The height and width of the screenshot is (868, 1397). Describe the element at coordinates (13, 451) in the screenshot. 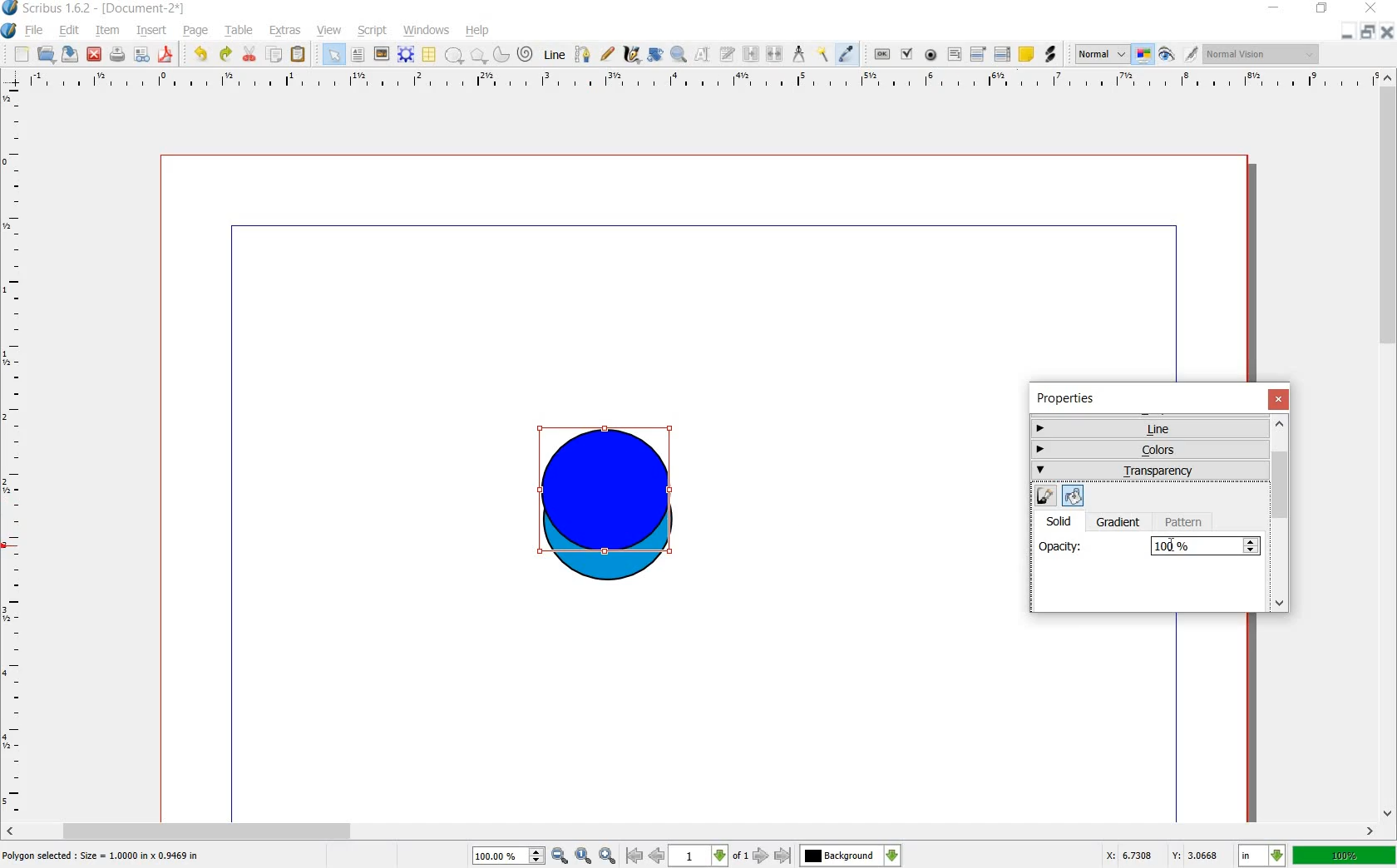

I see `ruler` at that location.